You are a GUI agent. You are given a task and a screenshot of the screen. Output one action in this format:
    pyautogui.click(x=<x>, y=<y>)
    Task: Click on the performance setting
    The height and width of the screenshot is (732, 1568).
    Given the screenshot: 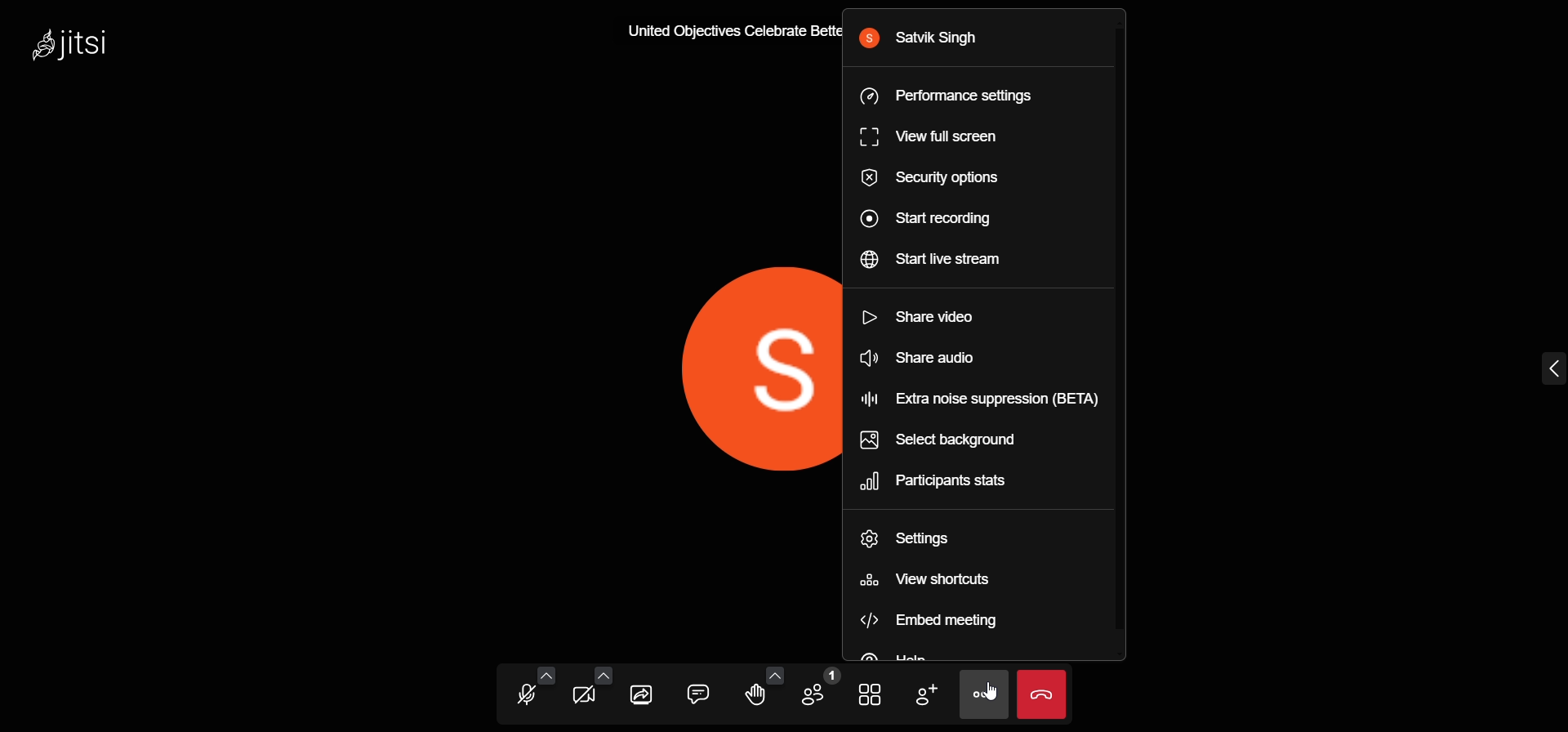 What is the action you would take?
    pyautogui.click(x=945, y=96)
    